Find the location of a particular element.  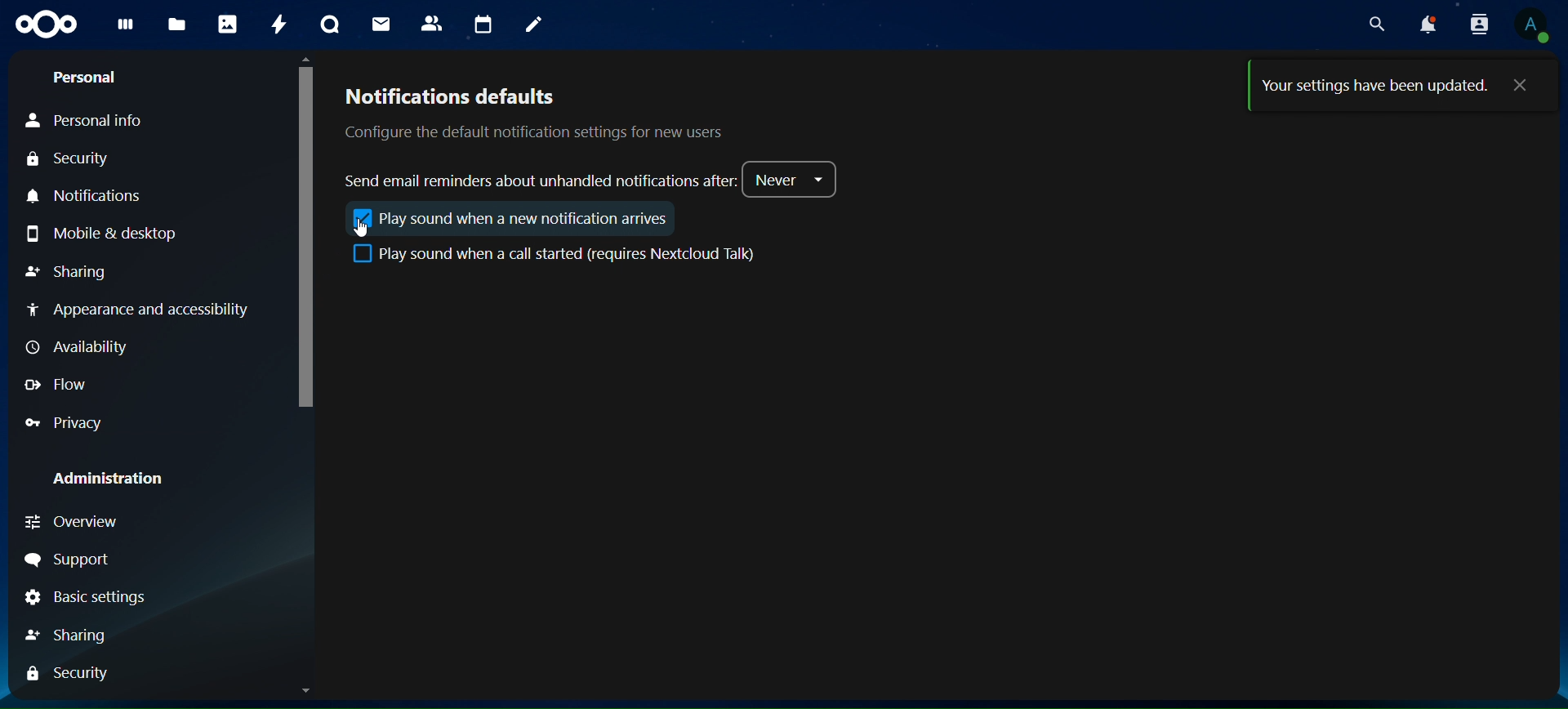

Notifications is located at coordinates (95, 197).